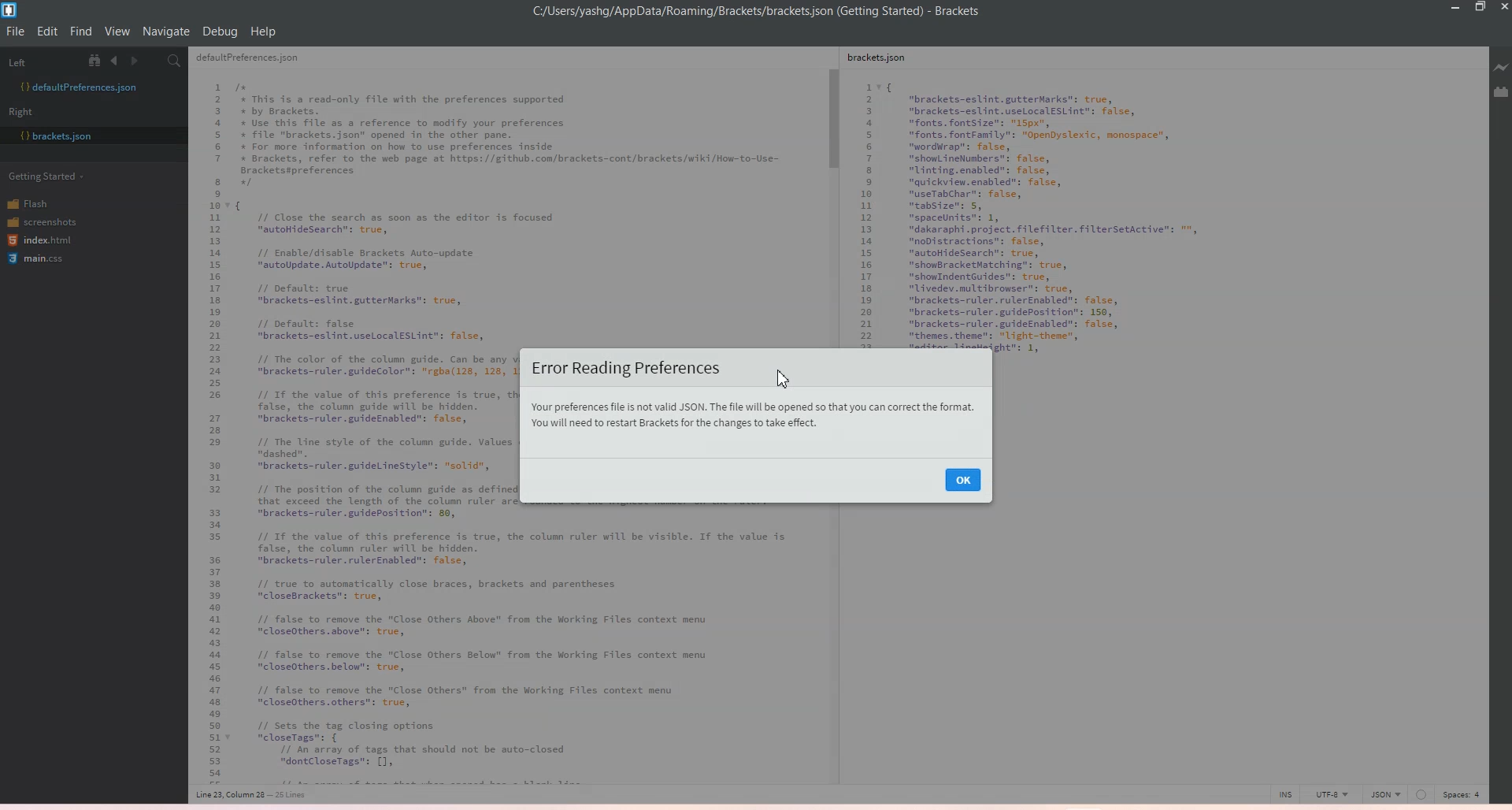 This screenshot has width=1512, height=810. Describe the element at coordinates (1421, 795) in the screenshot. I see `No linter available` at that location.